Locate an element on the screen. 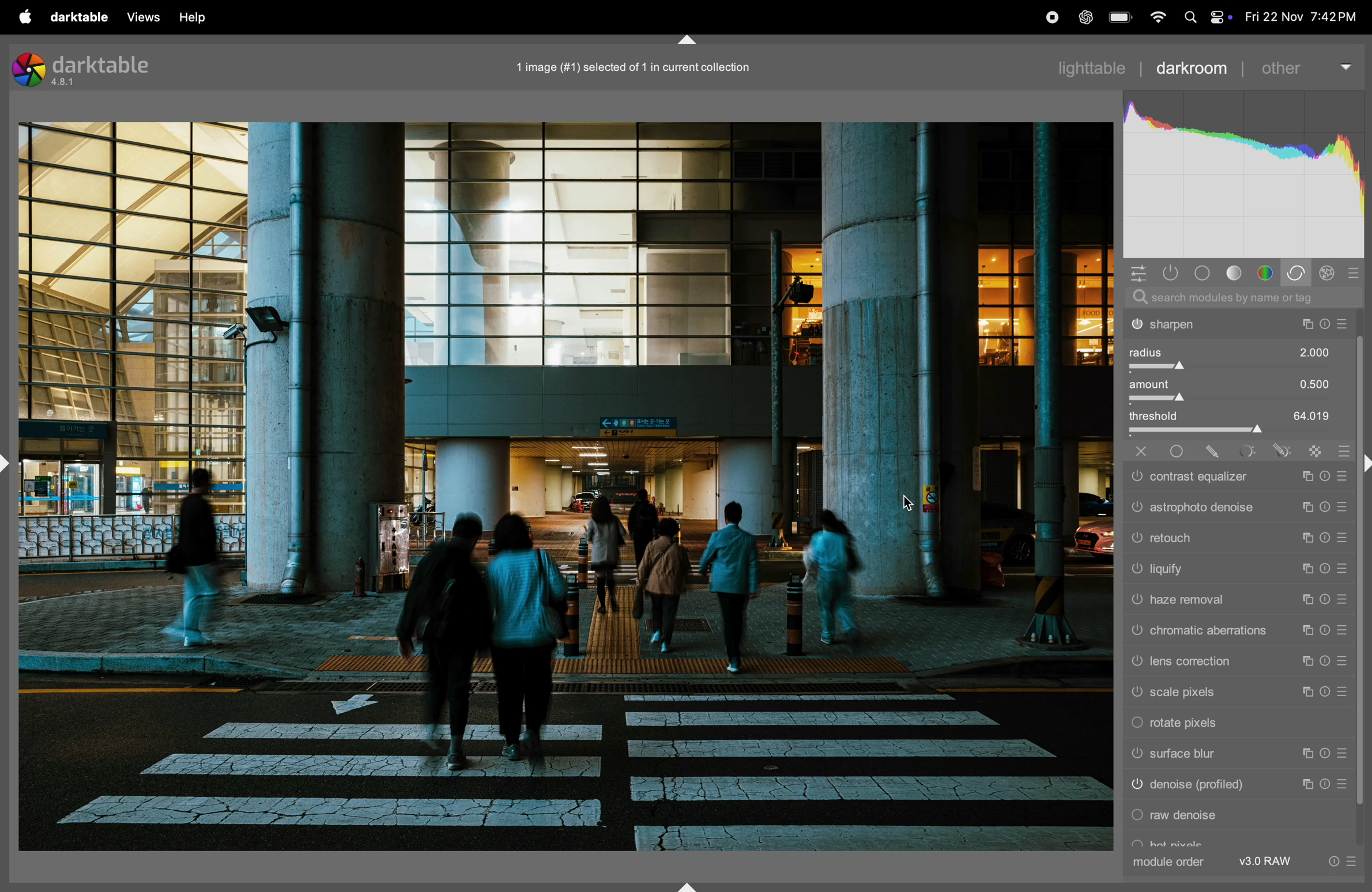 The width and height of the screenshot is (1372, 892). correct is located at coordinates (1298, 273).